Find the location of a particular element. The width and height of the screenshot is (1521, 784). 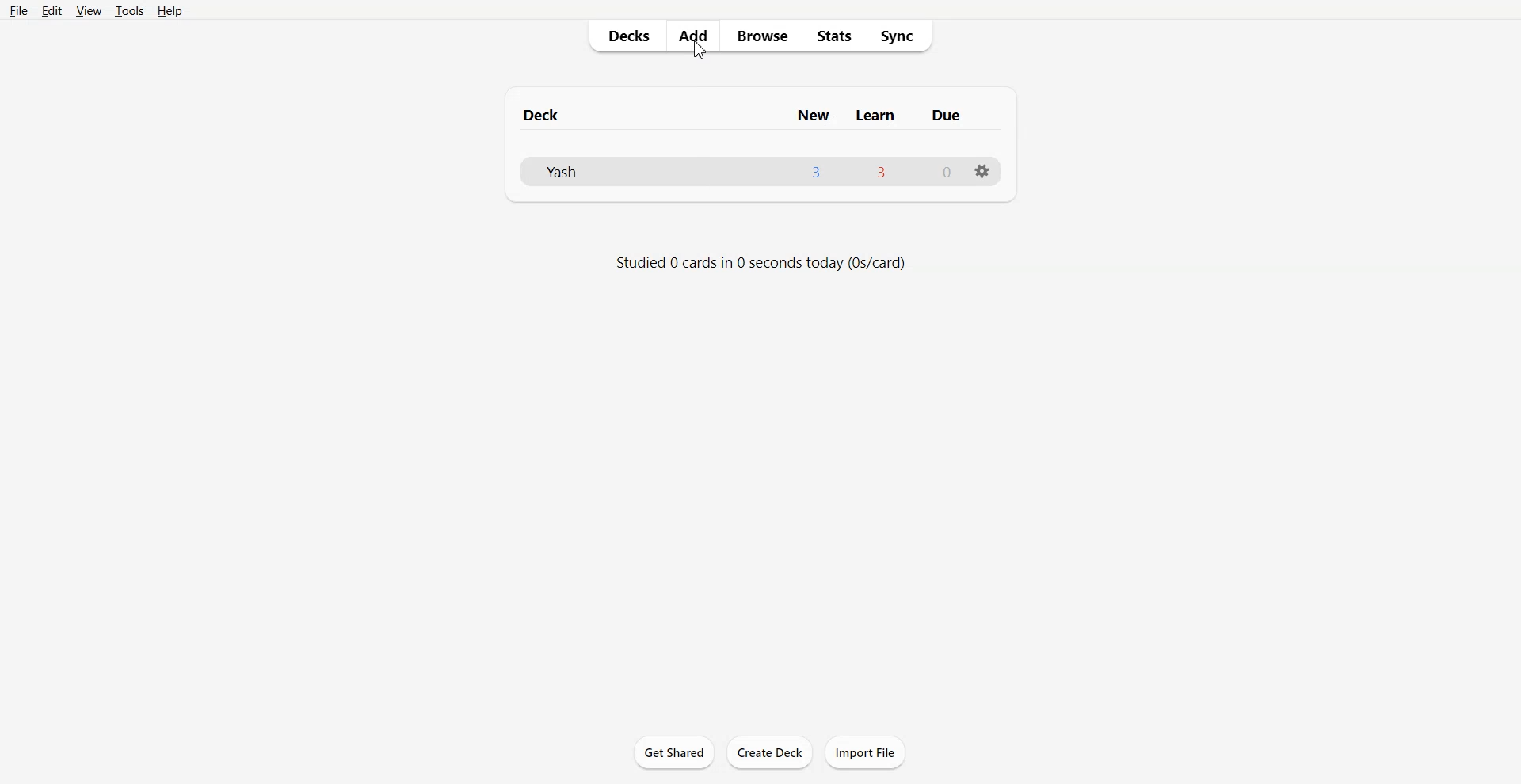

Add is located at coordinates (693, 36).